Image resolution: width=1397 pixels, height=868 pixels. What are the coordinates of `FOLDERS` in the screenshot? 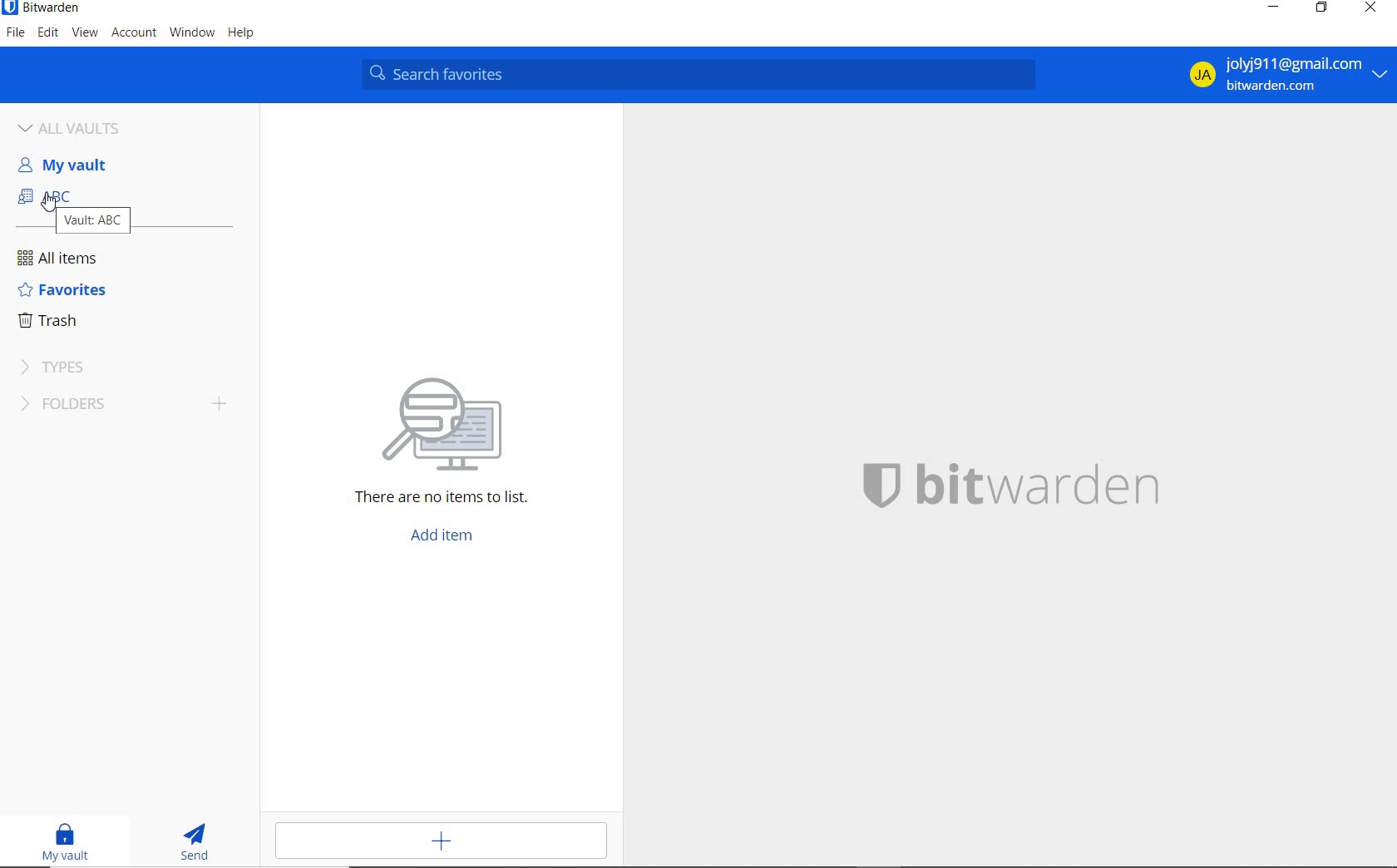 It's located at (98, 406).